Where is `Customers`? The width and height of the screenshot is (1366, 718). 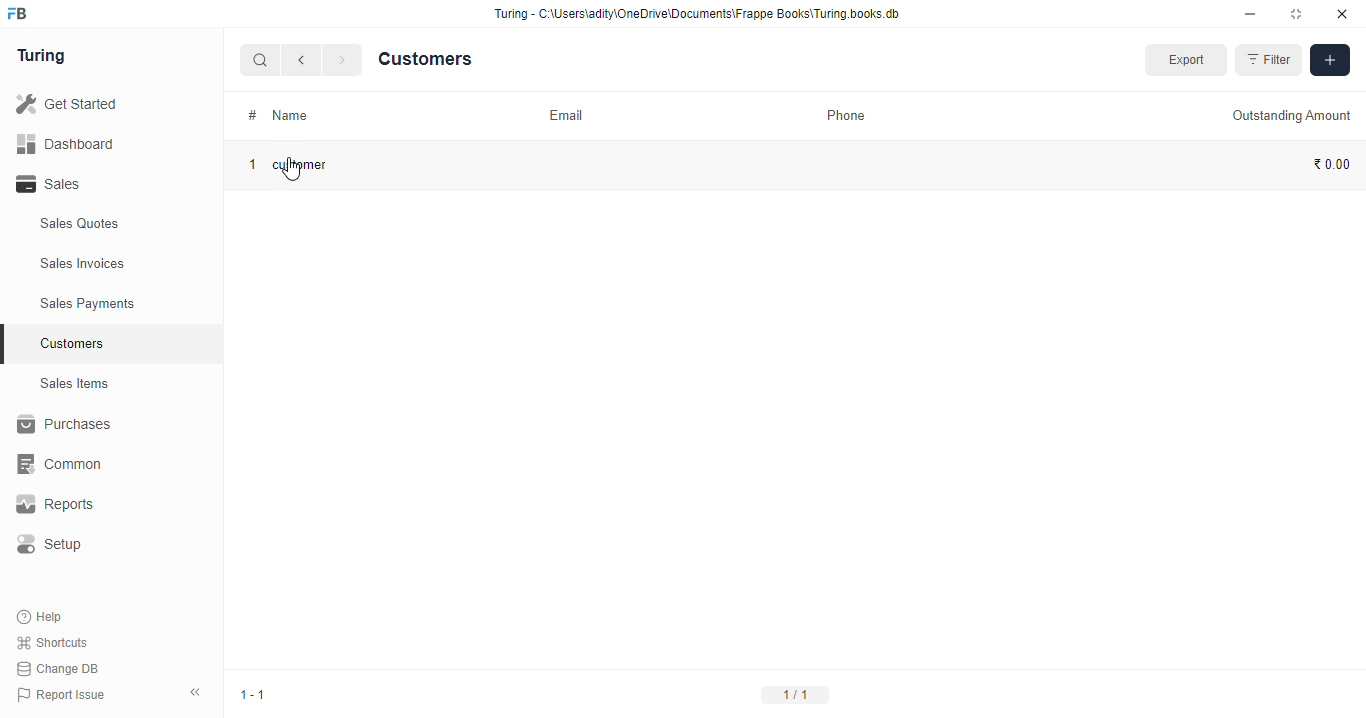 Customers is located at coordinates (123, 341).